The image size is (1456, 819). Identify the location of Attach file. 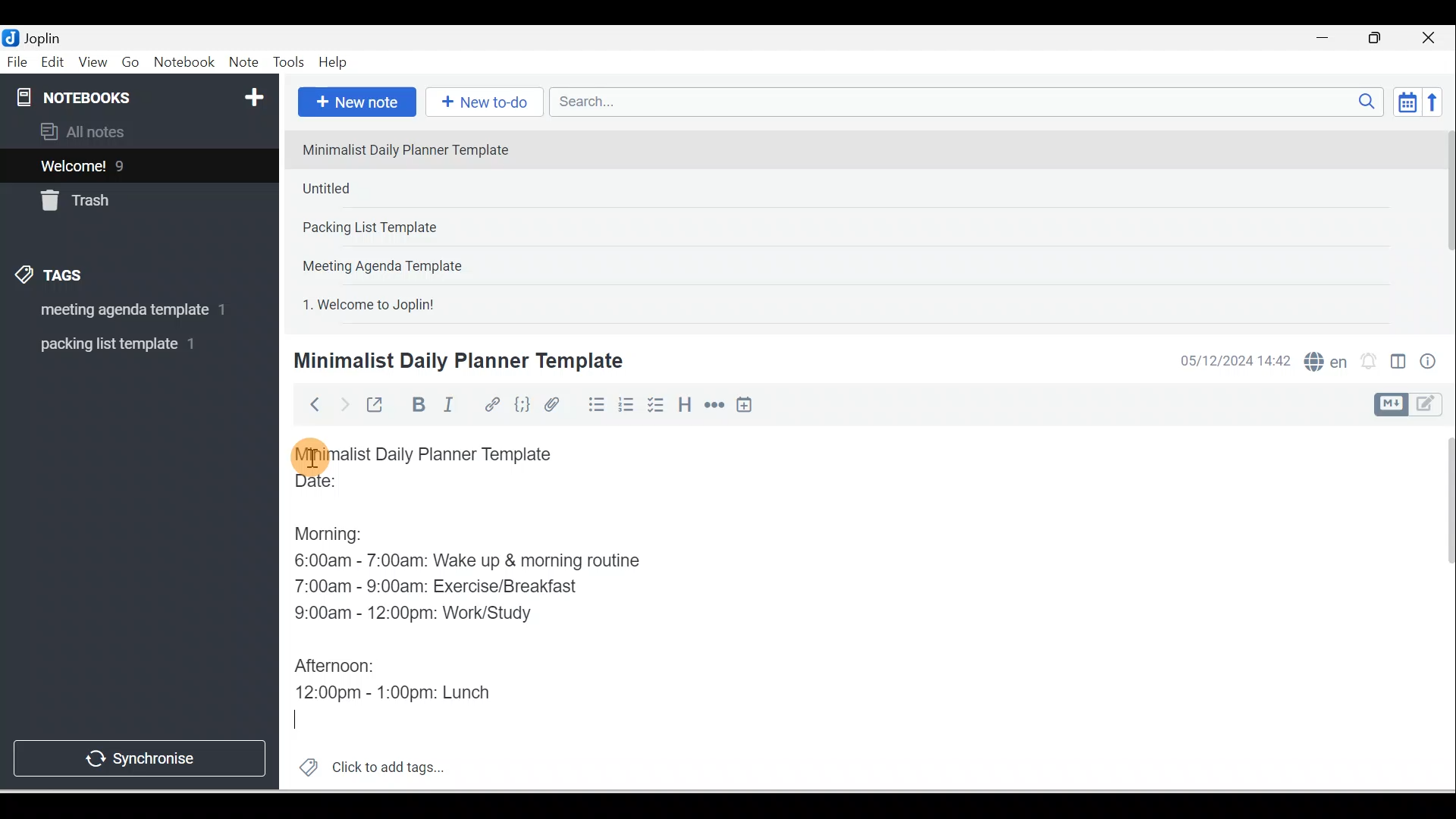
(556, 404).